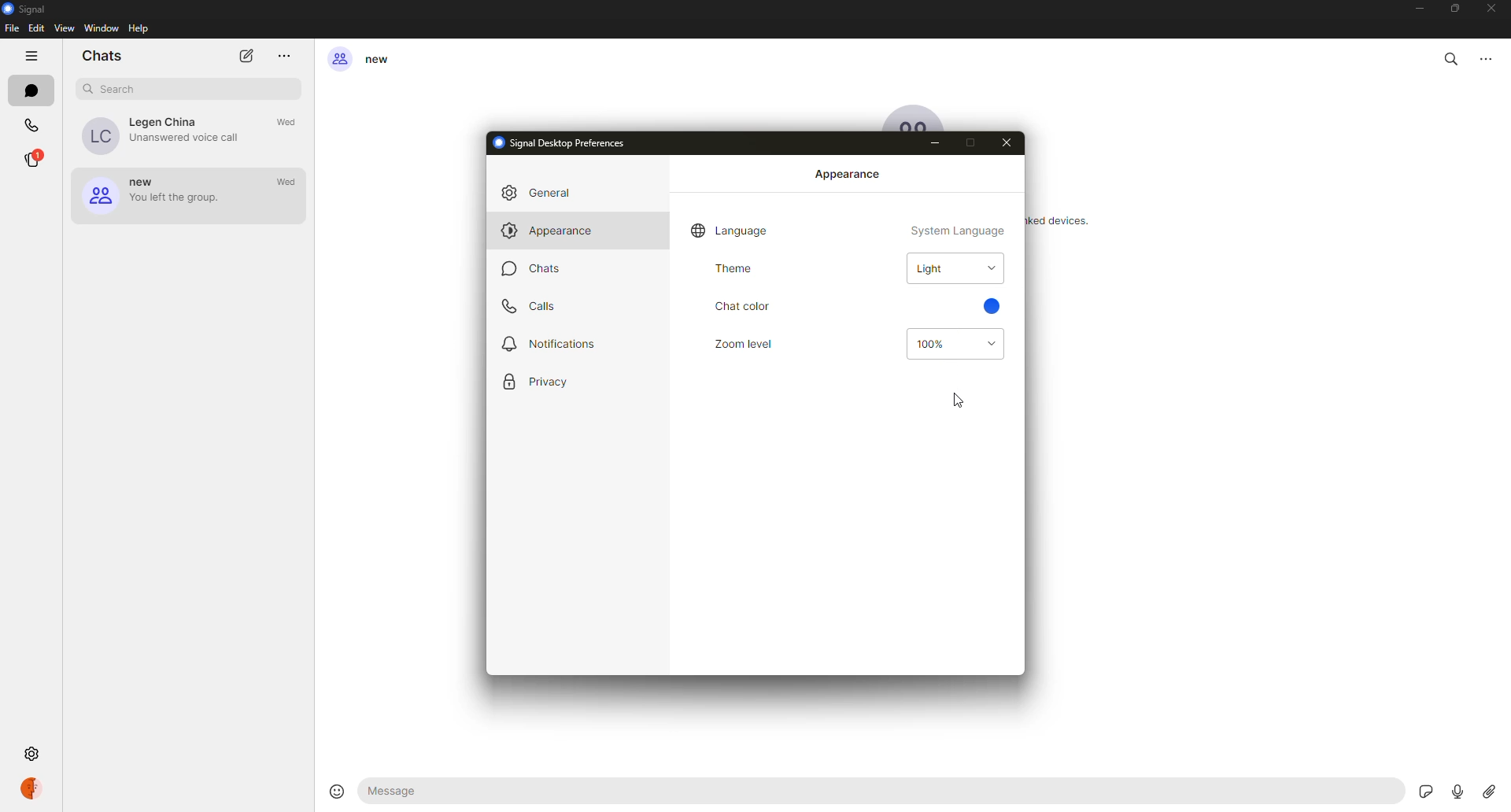 The image size is (1511, 812). What do you see at coordinates (168, 135) in the screenshot?
I see `Legen China` at bounding box center [168, 135].